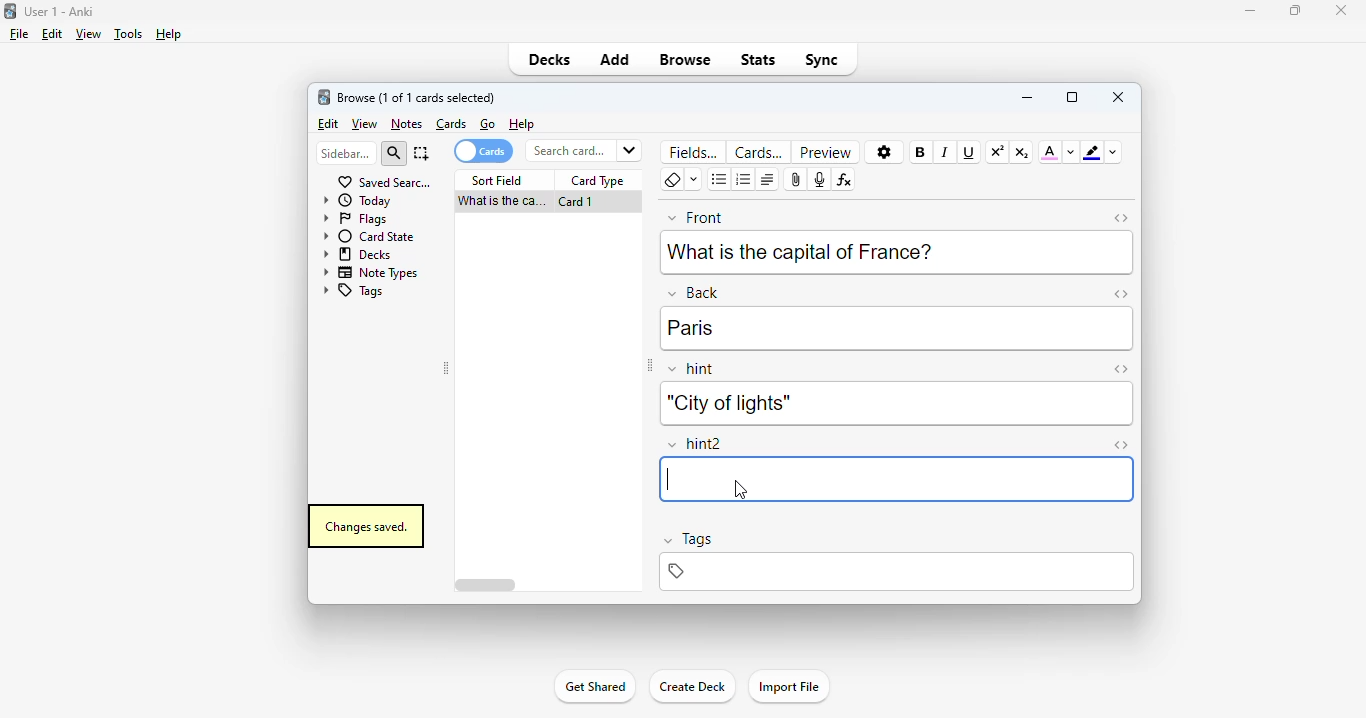 The height and width of the screenshot is (718, 1366). What do you see at coordinates (1113, 152) in the screenshot?
I see `change color` at bounding box center [1113, 152].